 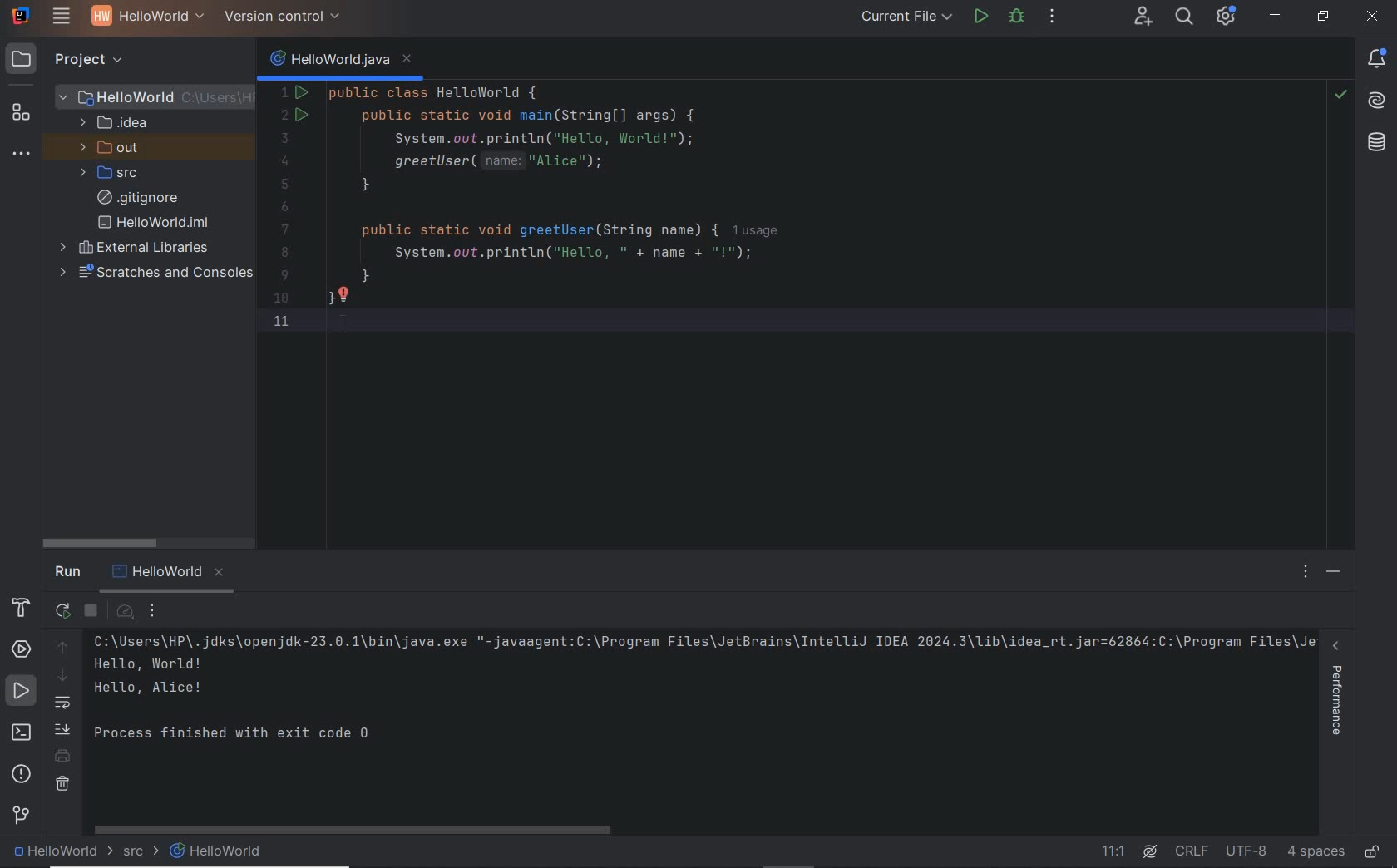 What do you see at coordinates (22, 16) in the screenshot?
I see `Application logo` at bounding box center [22, 16].